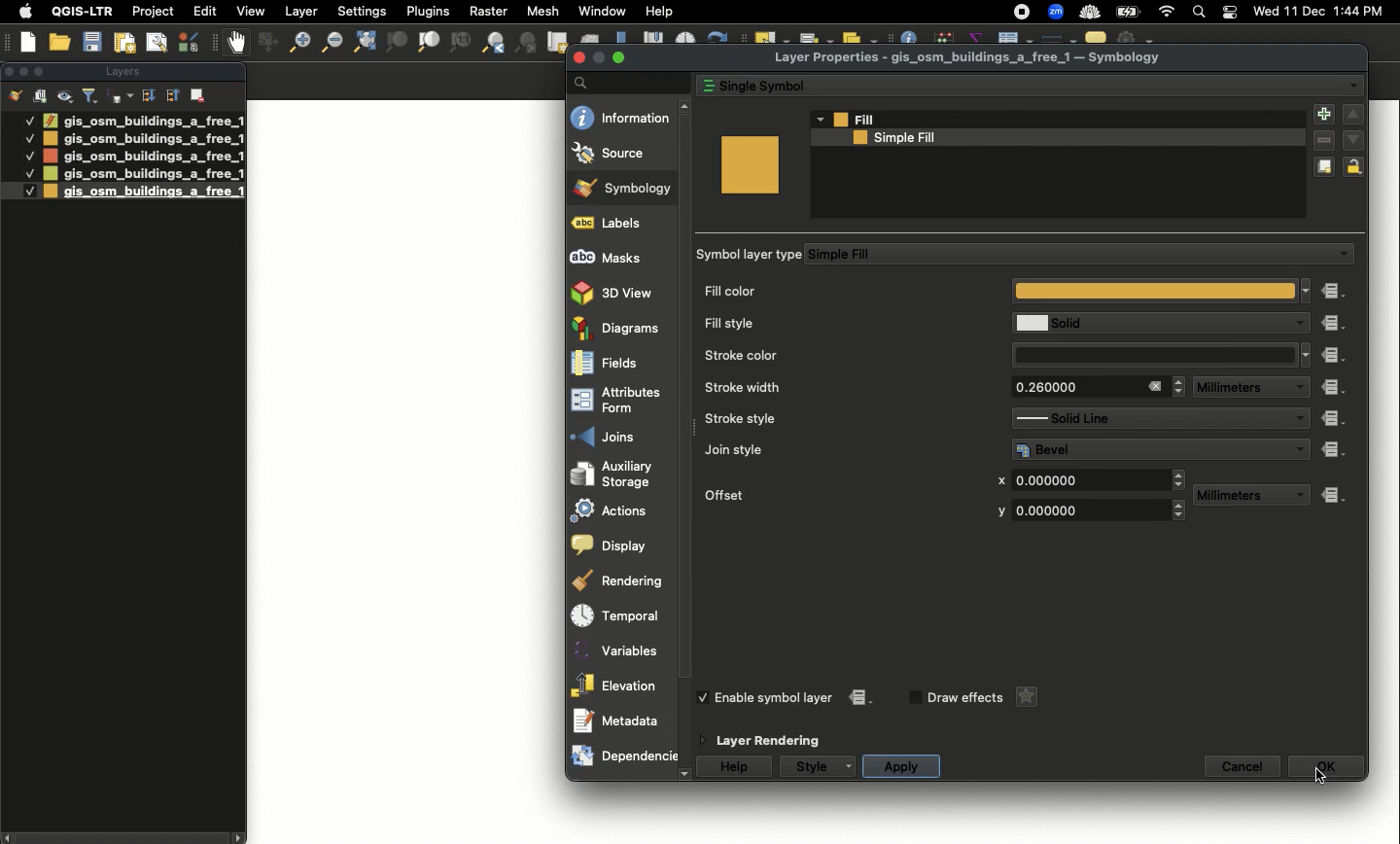  Describe the element at coordinates (832, 493) in the screenshot. I see `Offset` at that location.